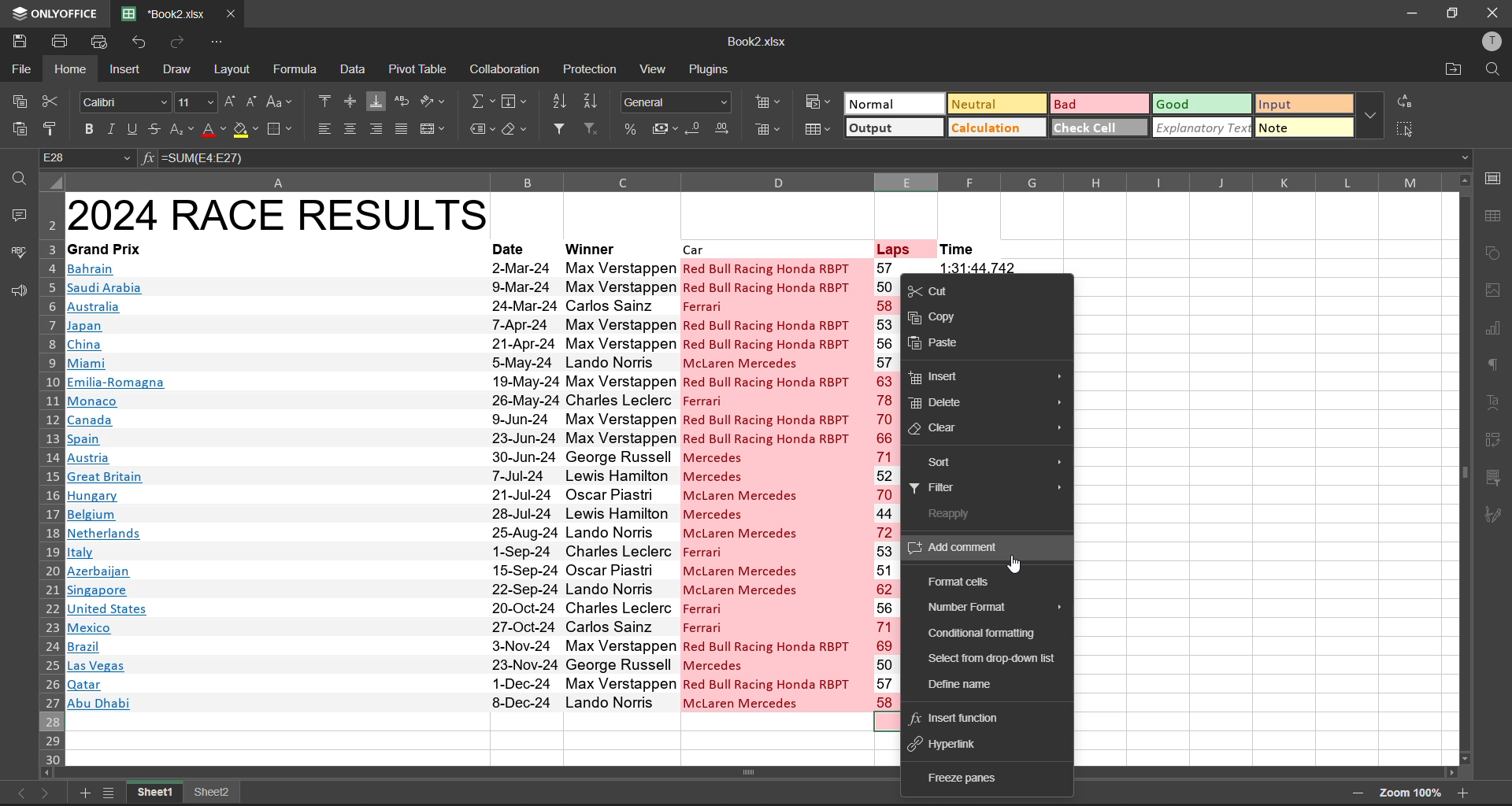 This screenshot has width=1512, height=806. Describe the element at coordinates (1013, 565) in the screenshot. I see `cursor` at that location.